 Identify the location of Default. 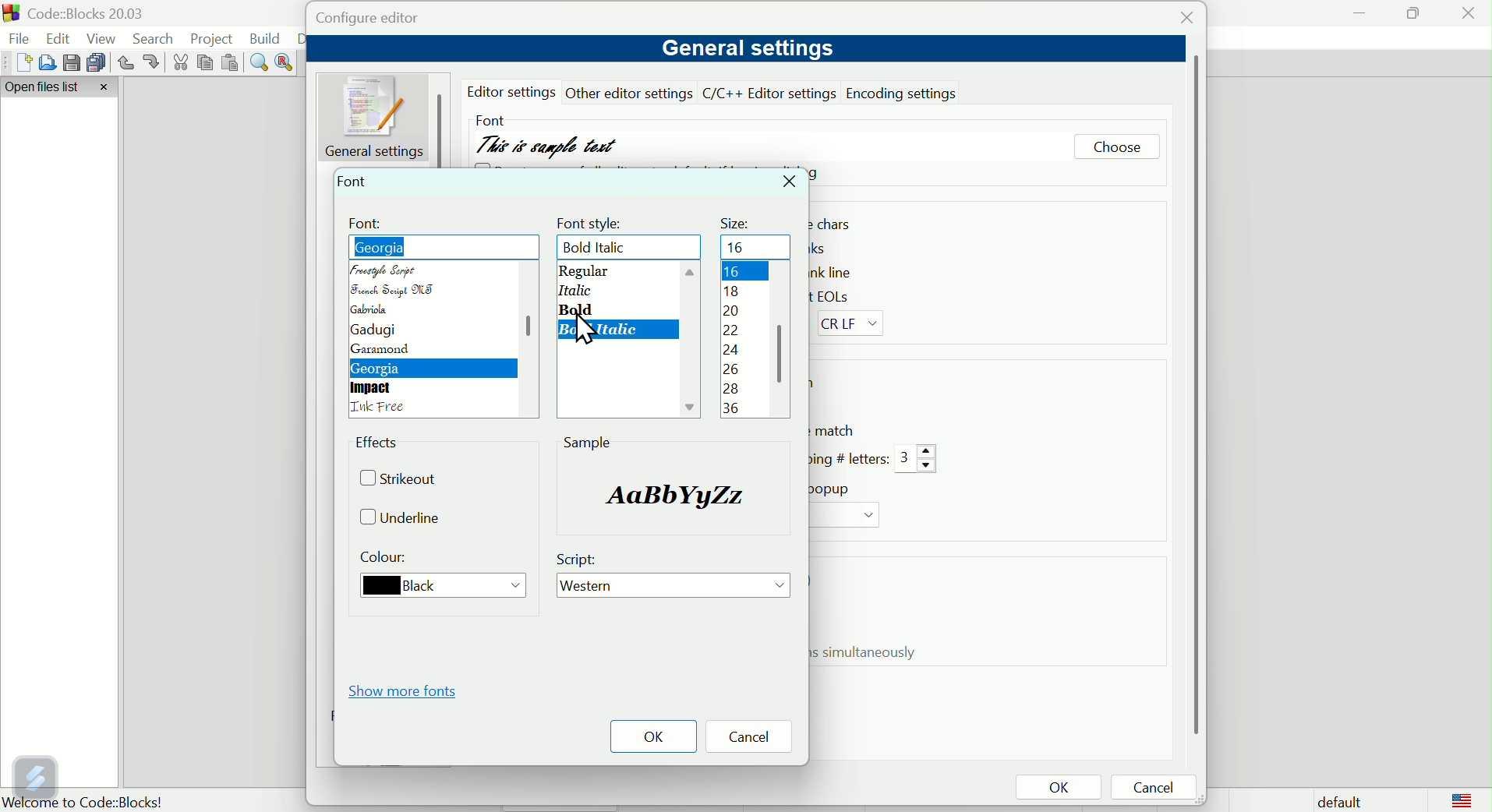
(1336, 800).